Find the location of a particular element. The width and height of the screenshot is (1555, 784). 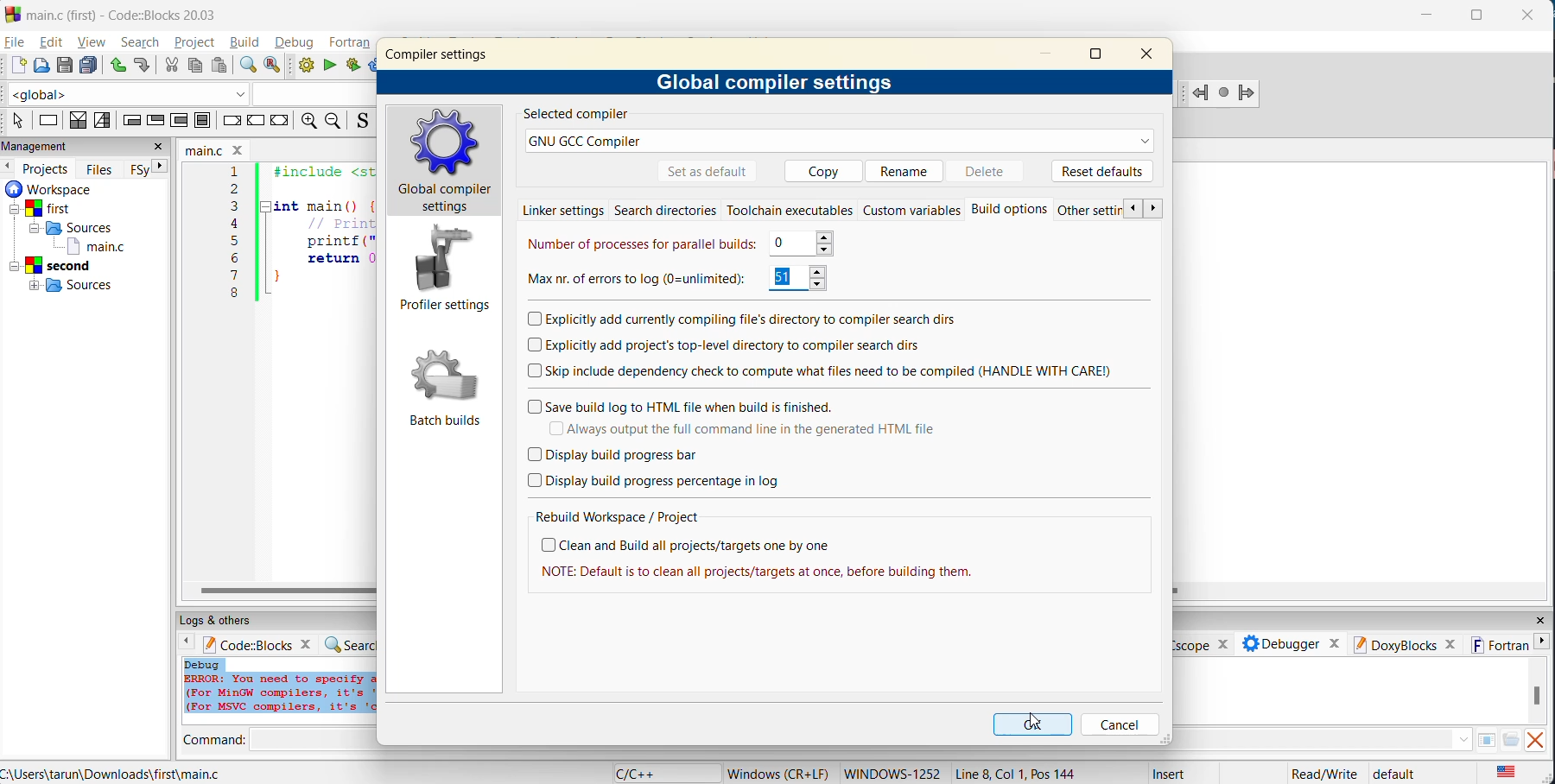

close is located at coordinates (158, 148).